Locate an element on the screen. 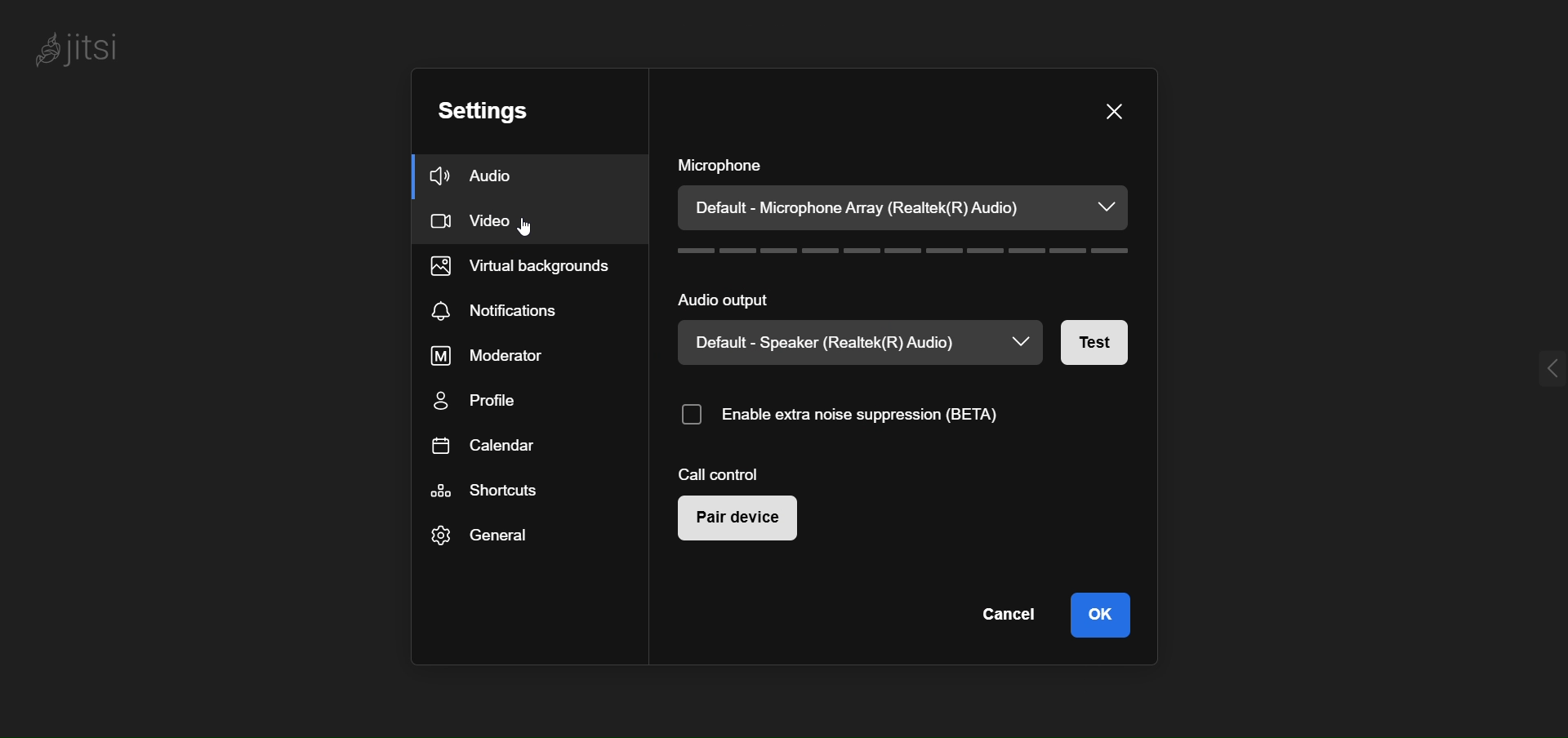  setting is located at coordinates (506, 111).